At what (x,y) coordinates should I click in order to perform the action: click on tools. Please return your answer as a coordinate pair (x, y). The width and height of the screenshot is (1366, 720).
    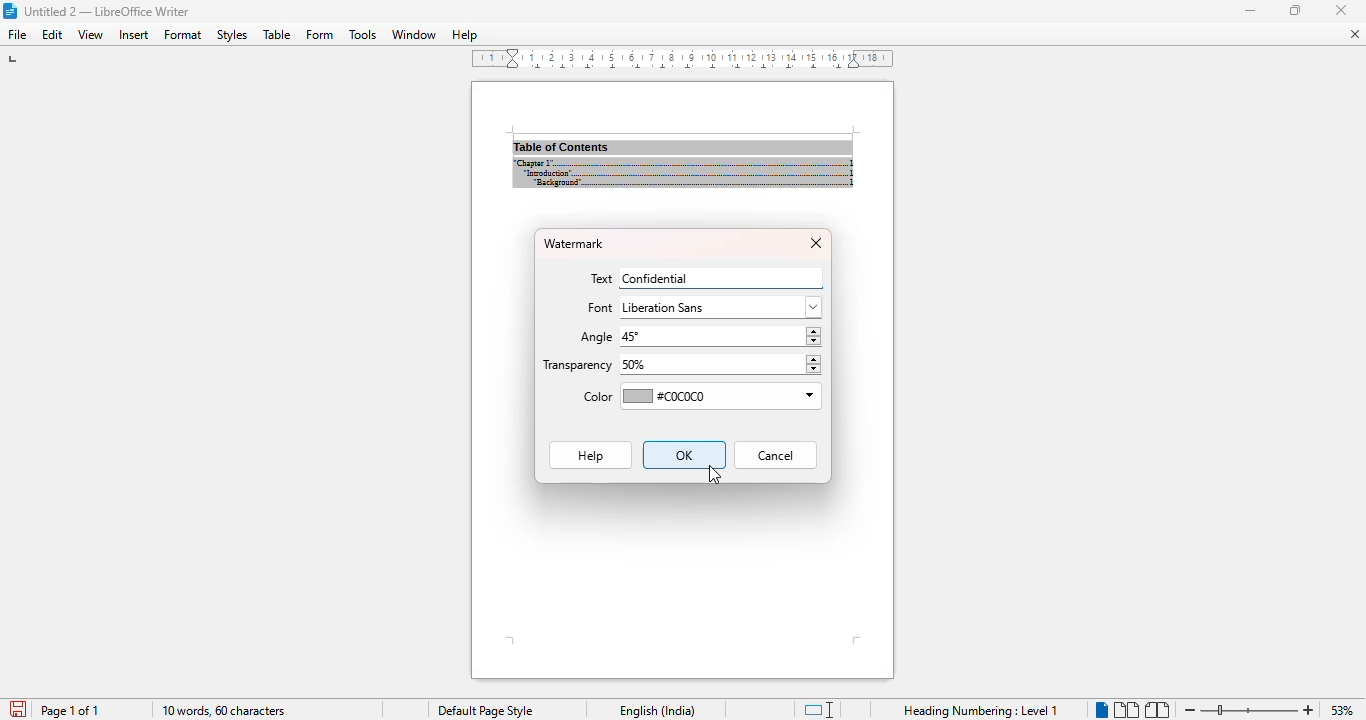
    Looking at the image, I should click on (362, 34).